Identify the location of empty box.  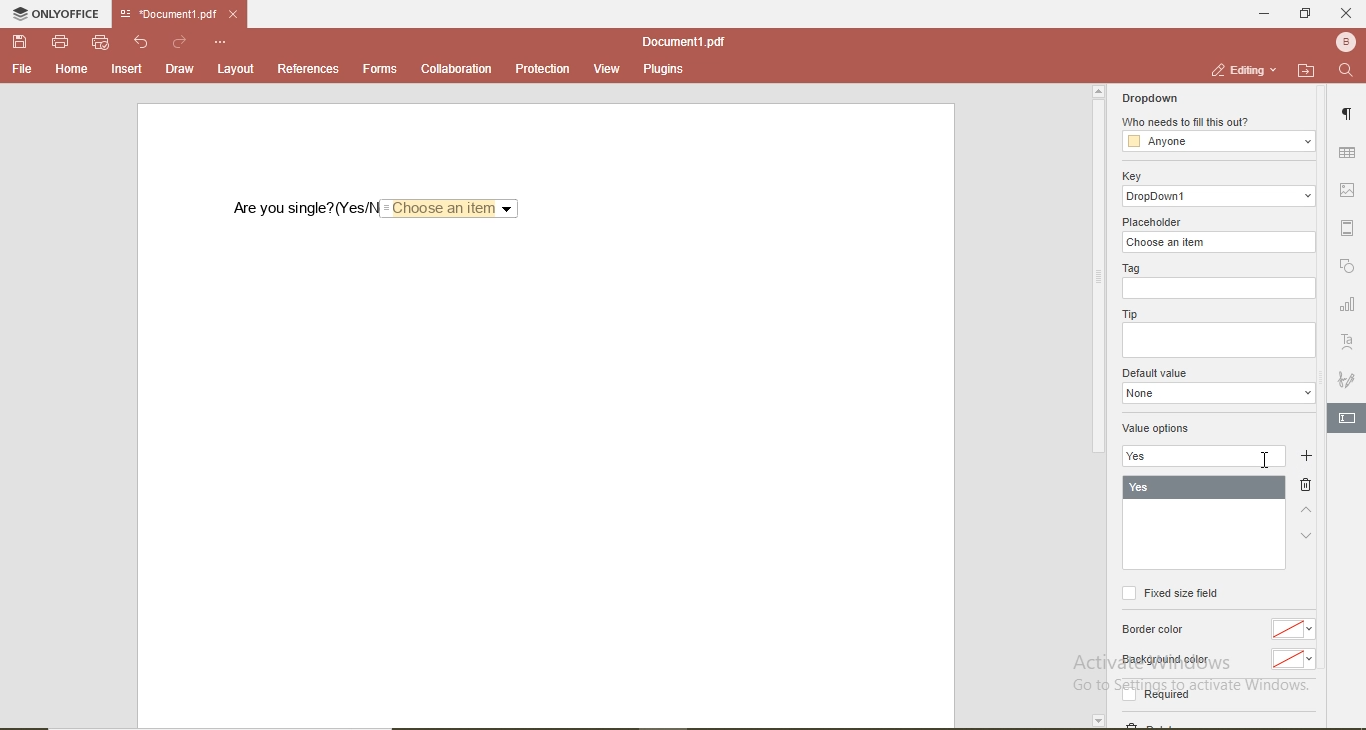
(1218, 290).